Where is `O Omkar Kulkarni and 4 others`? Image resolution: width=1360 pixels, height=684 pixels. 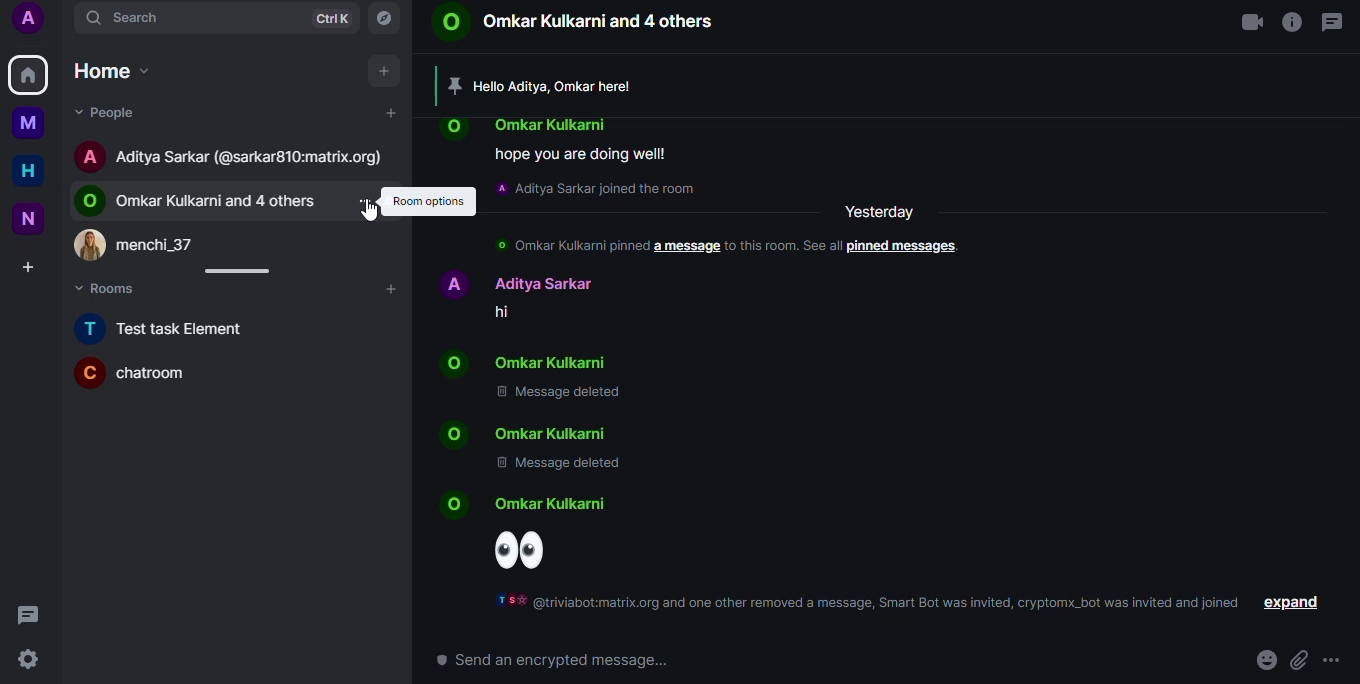 O Omkar Kulkarni and 4 others is located at coordinates (576, 24).